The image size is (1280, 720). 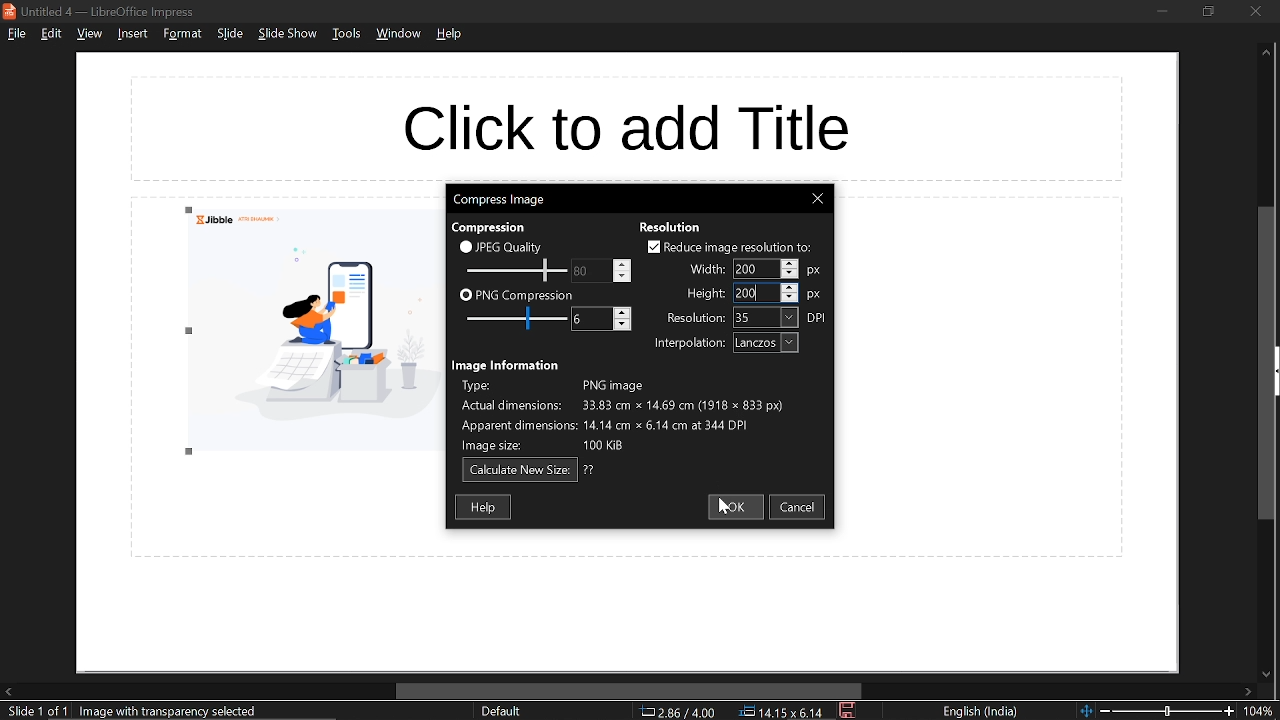 I want to click on decrease height, so click(x=790, y=297).